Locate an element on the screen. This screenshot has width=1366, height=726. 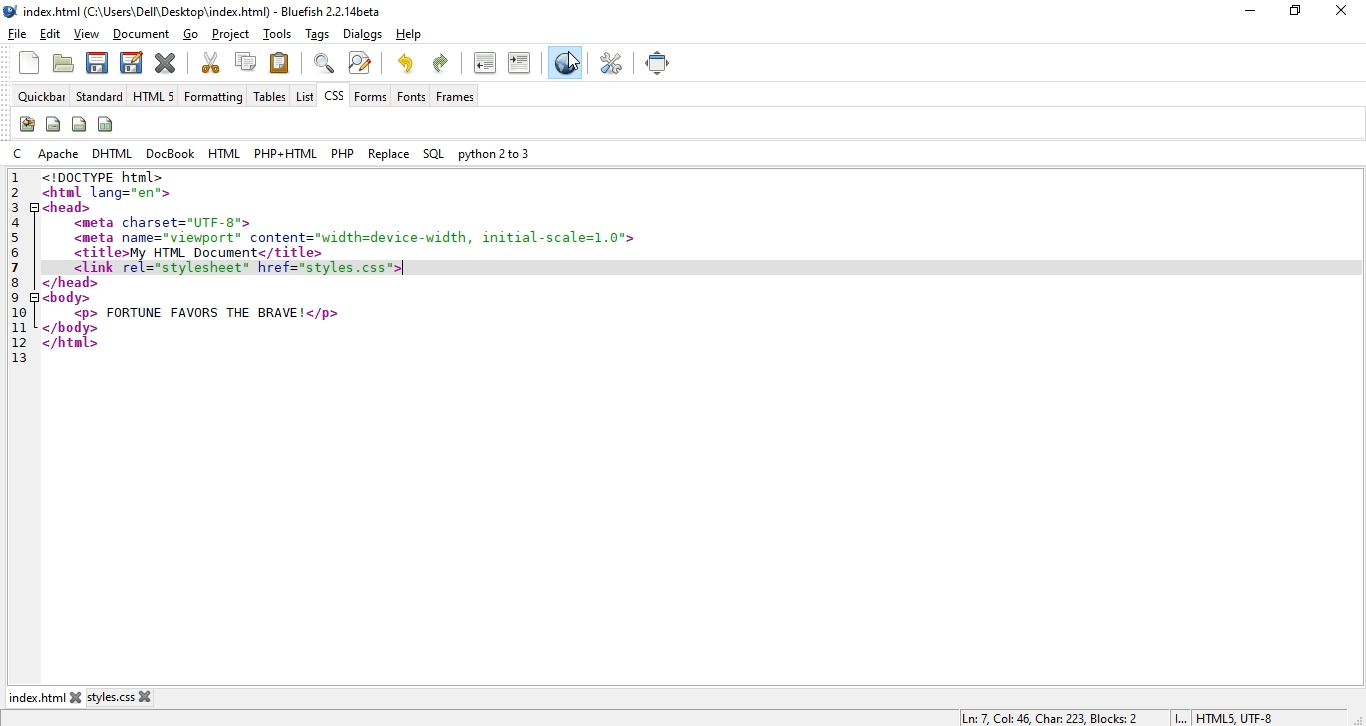
bluefish logo is located at coordinates (12, 12).